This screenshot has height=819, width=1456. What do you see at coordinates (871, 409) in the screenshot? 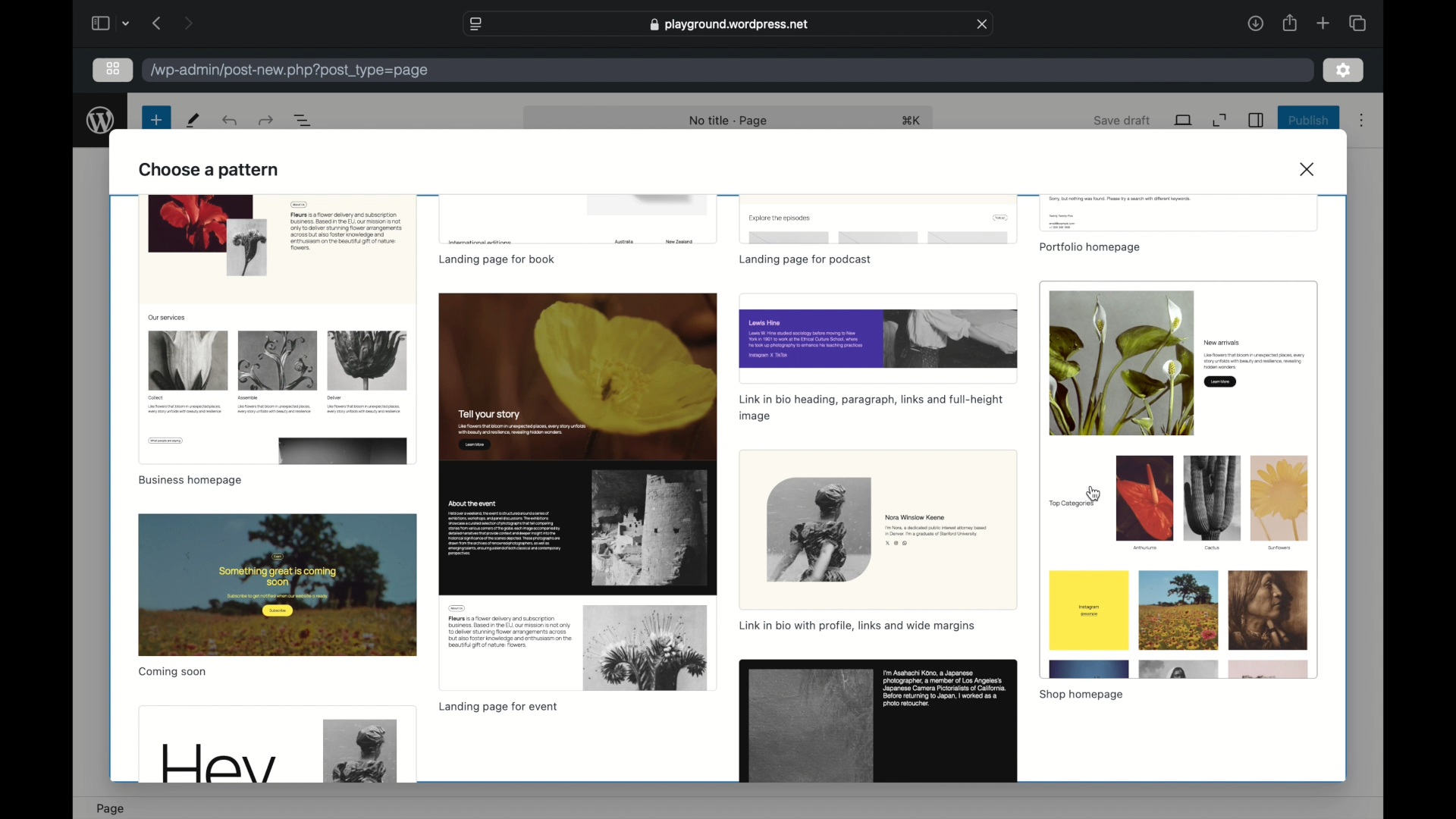
I see `template name` at bounding box center [871, 409].